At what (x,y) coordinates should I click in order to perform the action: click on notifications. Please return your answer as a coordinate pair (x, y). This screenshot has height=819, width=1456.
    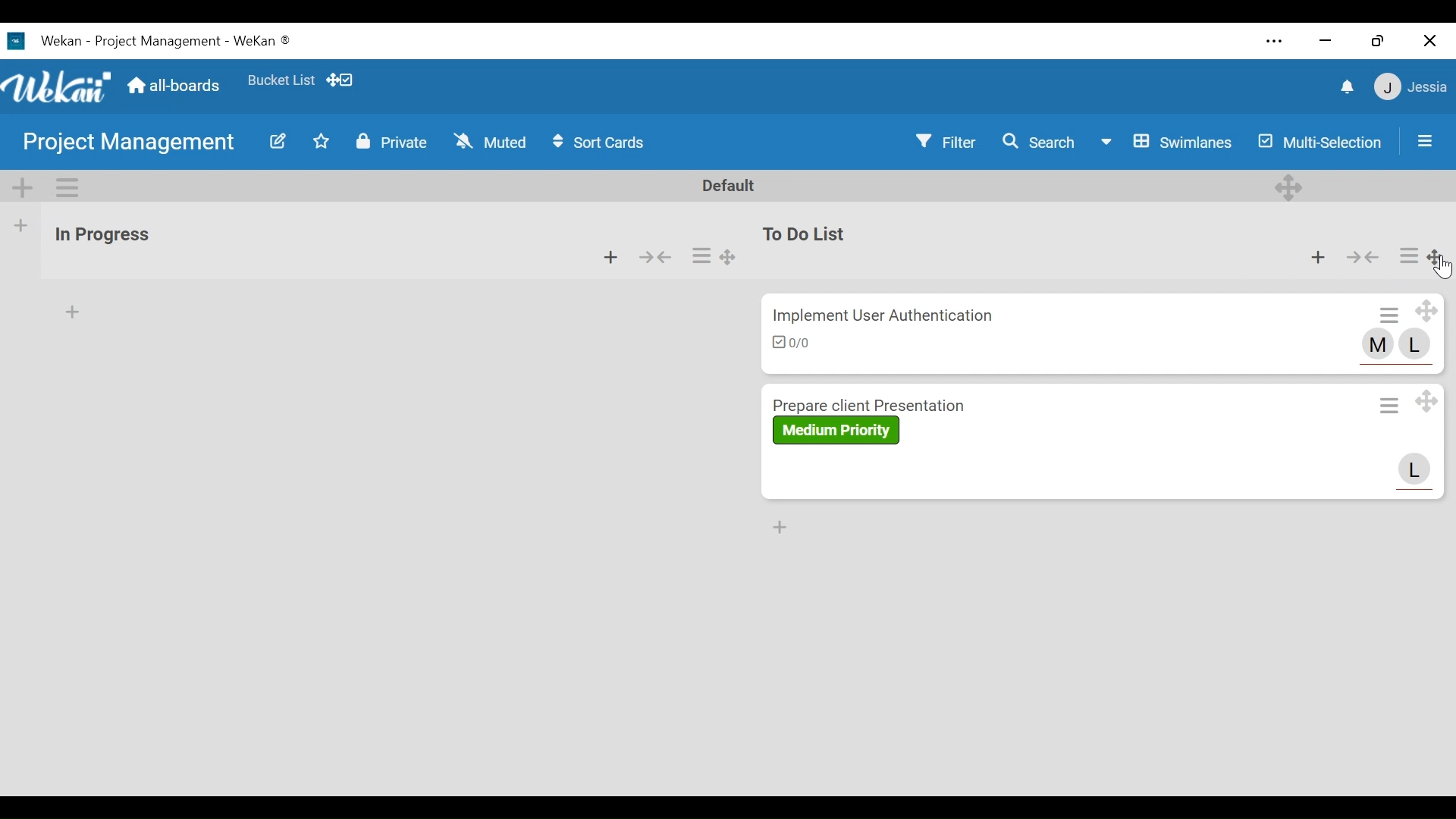
    Looking at the image, I should click on (1346, 87).